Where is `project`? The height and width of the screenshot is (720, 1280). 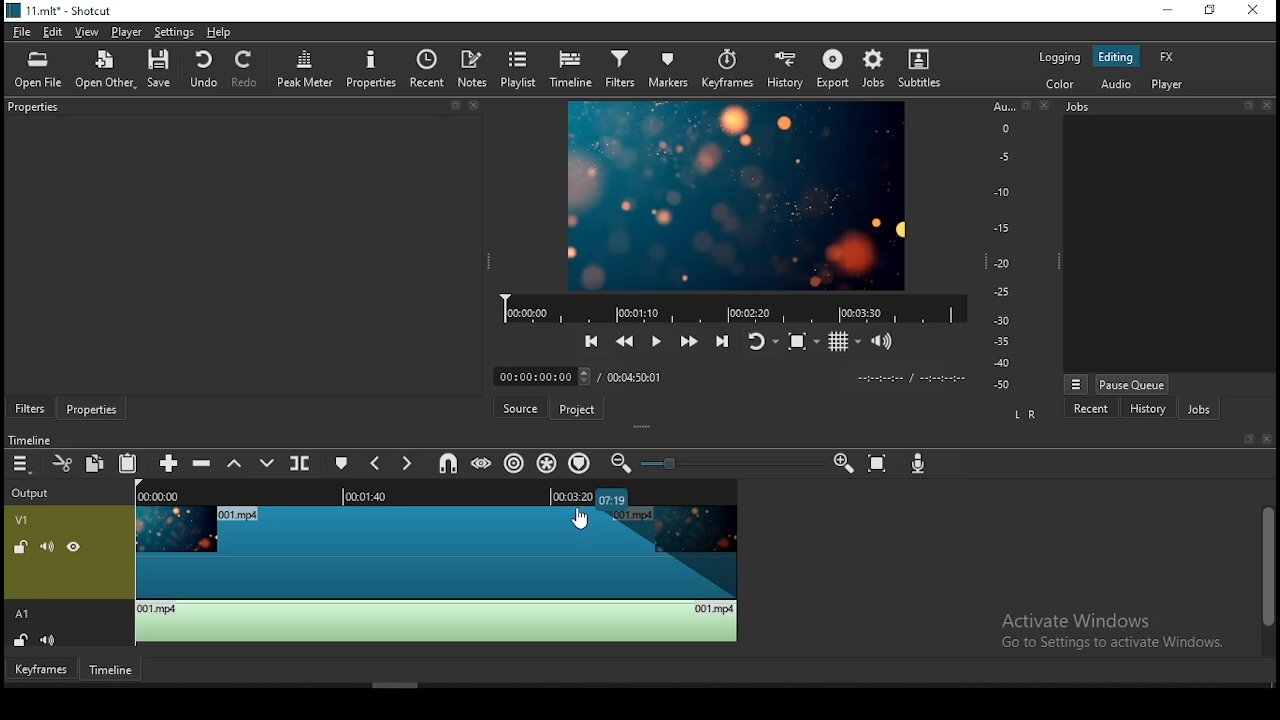 project is located at coordinates (576, 410).